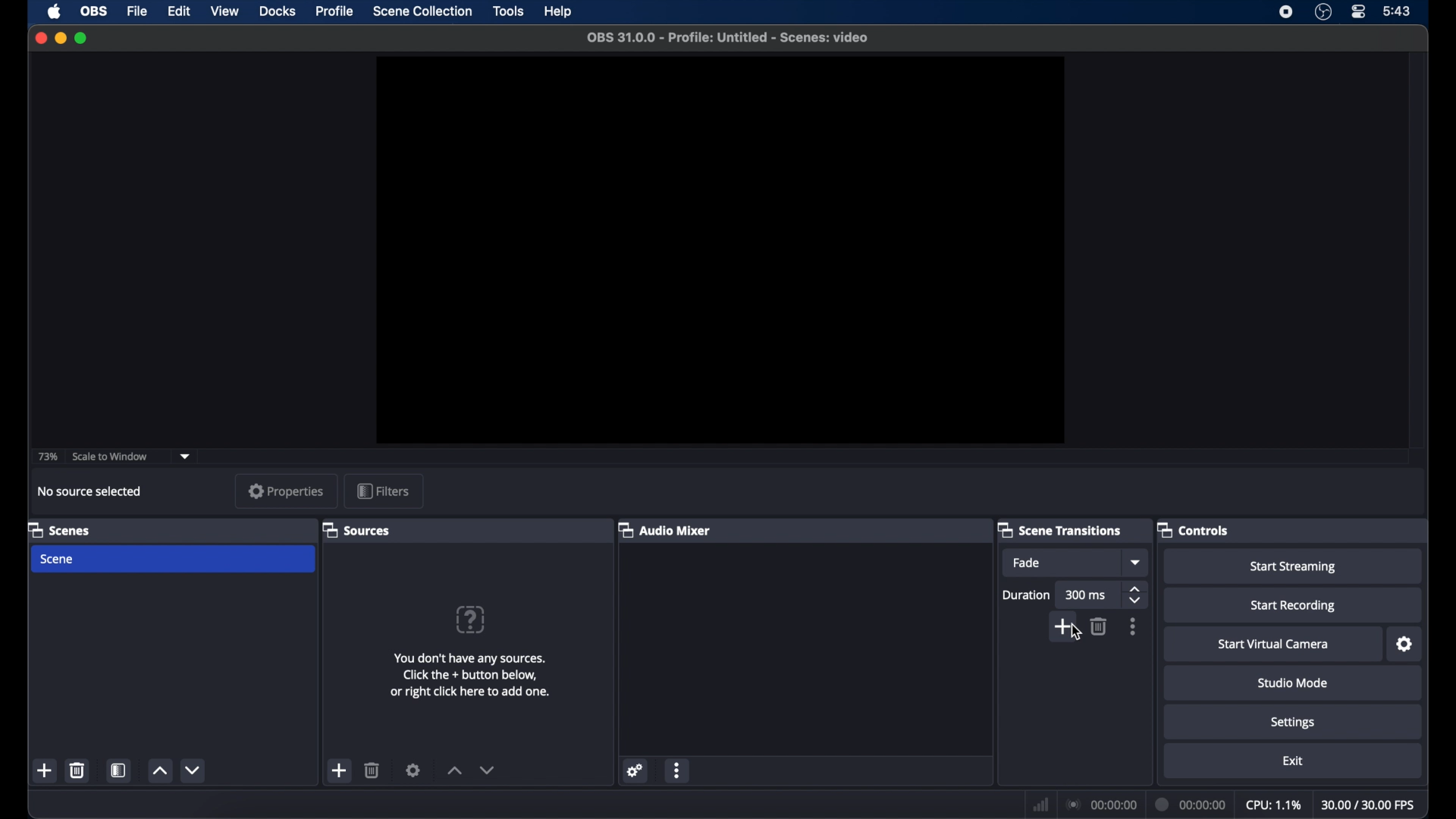 This screenshot has width=1456, height=819. What do you see at coordinates (278, 12) in the screenshot?
I see `docks` at bounding box center [278, 12].